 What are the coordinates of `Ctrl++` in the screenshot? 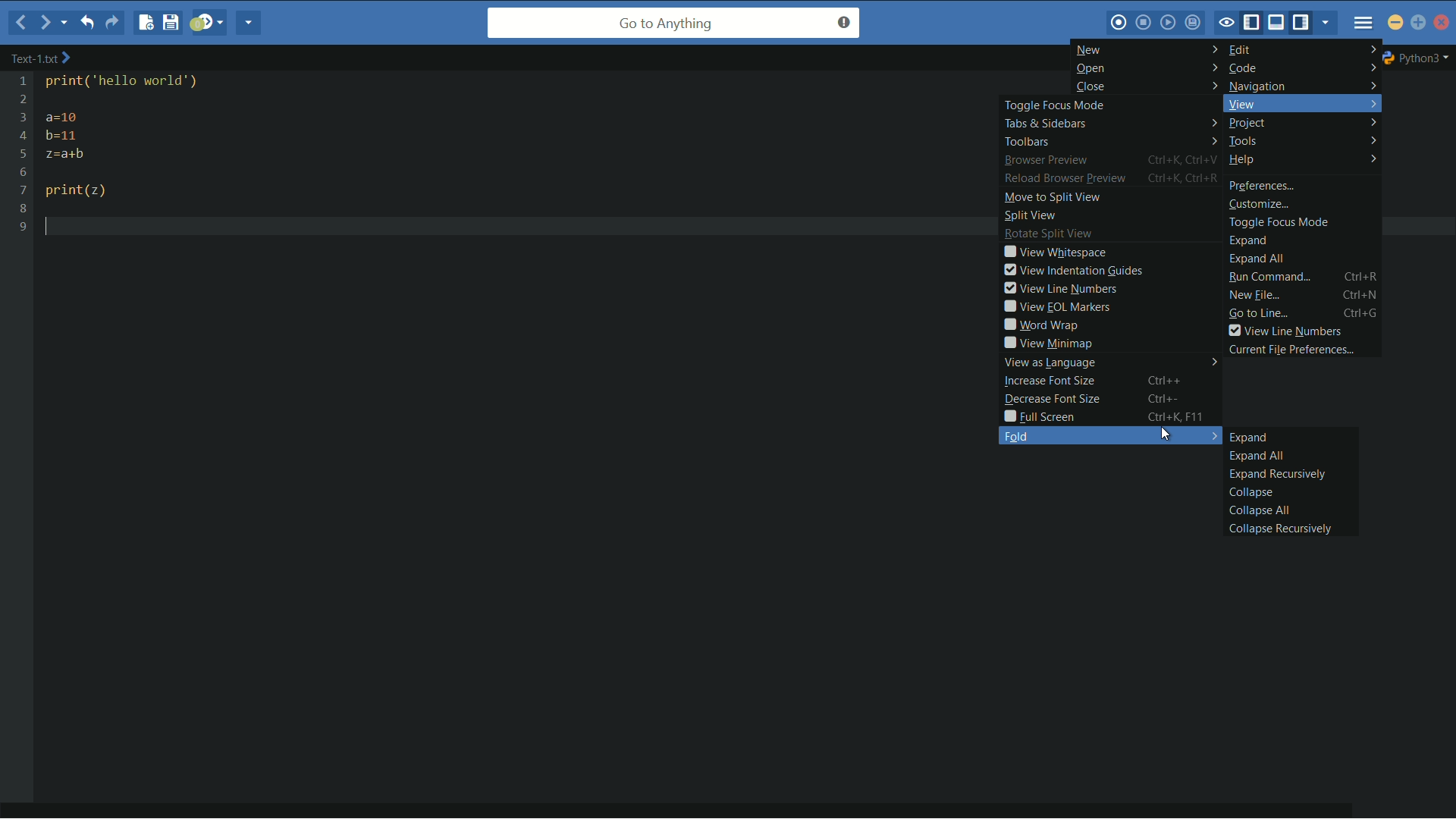 It's located at (1174, 380).